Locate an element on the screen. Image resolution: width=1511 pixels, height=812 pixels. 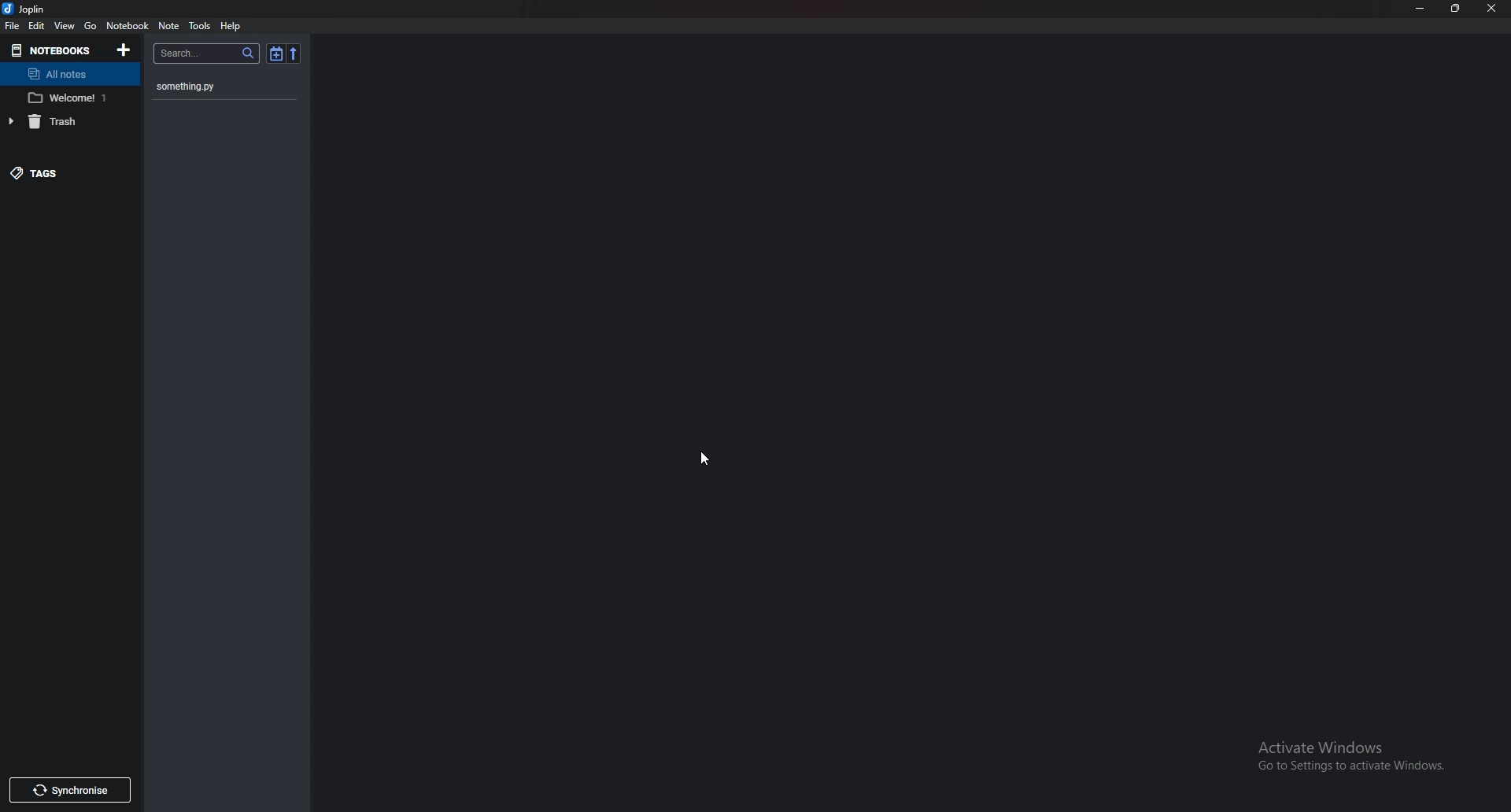
something.py is located at coordinates (214, 87).